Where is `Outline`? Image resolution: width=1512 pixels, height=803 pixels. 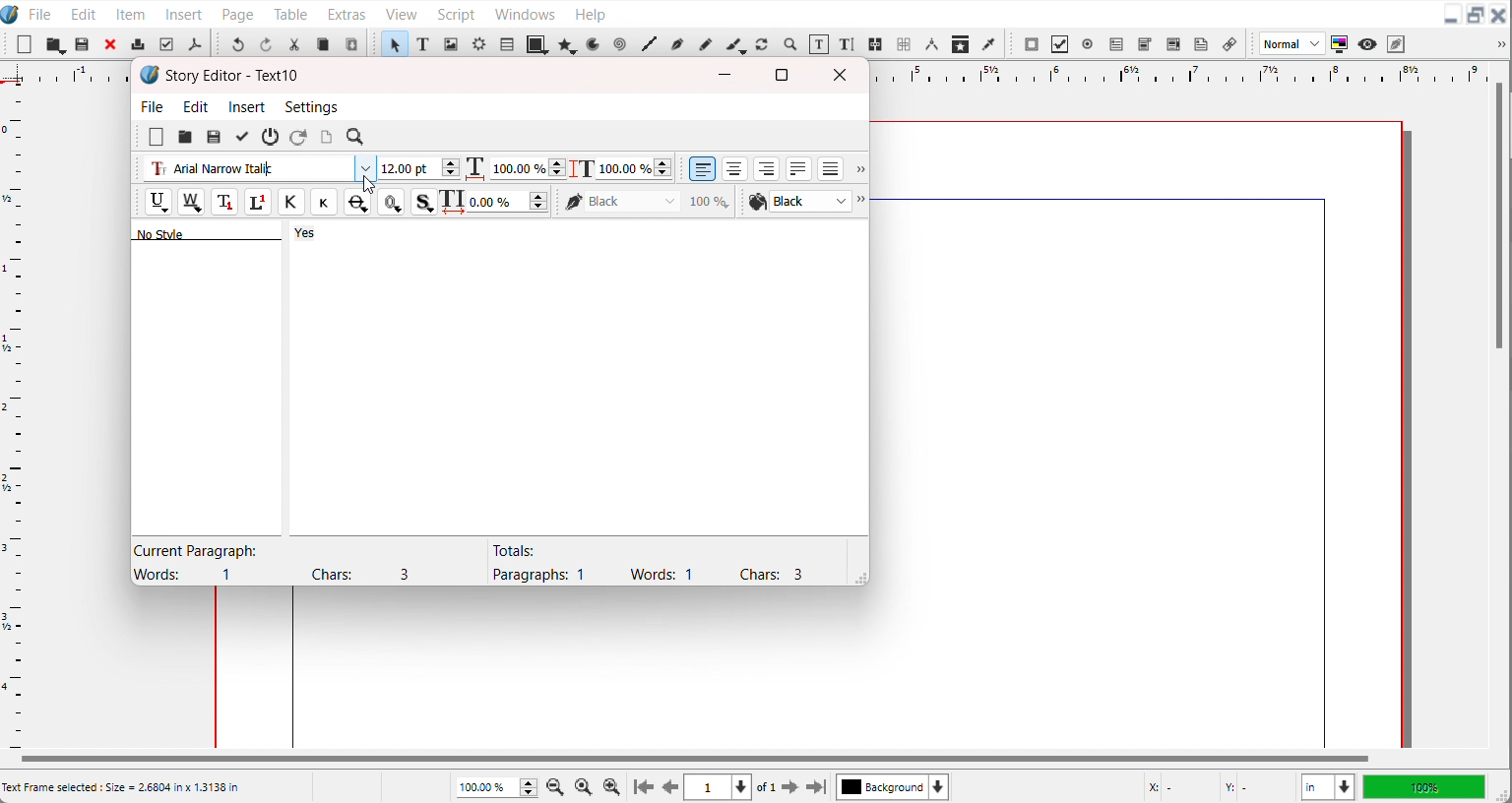 Outline is located at coordinates (391, 202).